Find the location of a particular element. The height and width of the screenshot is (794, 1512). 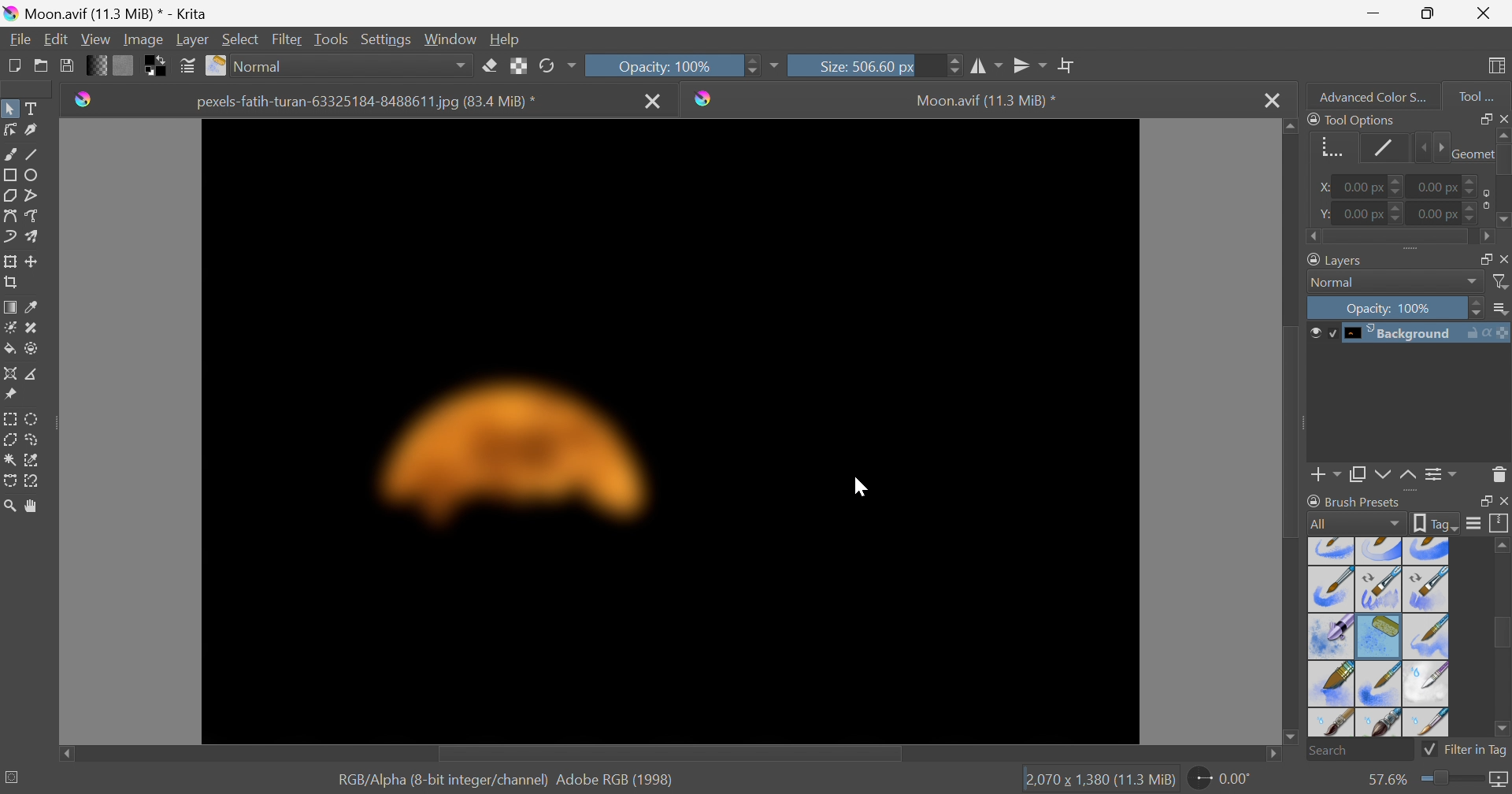

Multibrush tool is located at coordinates (34, 236).